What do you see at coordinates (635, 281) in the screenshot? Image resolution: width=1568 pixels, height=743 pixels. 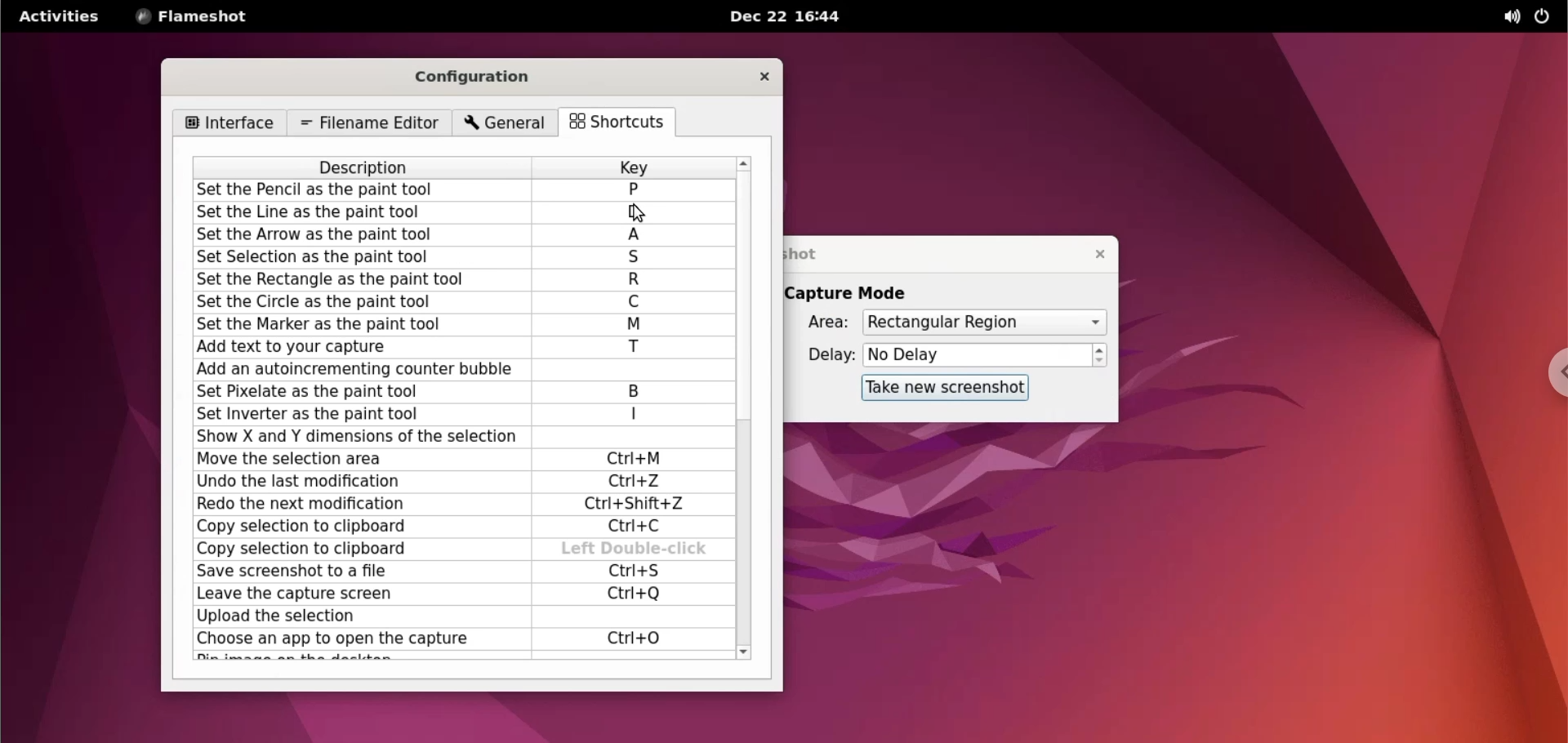 I see `R ` at bounding box center [635, 281].